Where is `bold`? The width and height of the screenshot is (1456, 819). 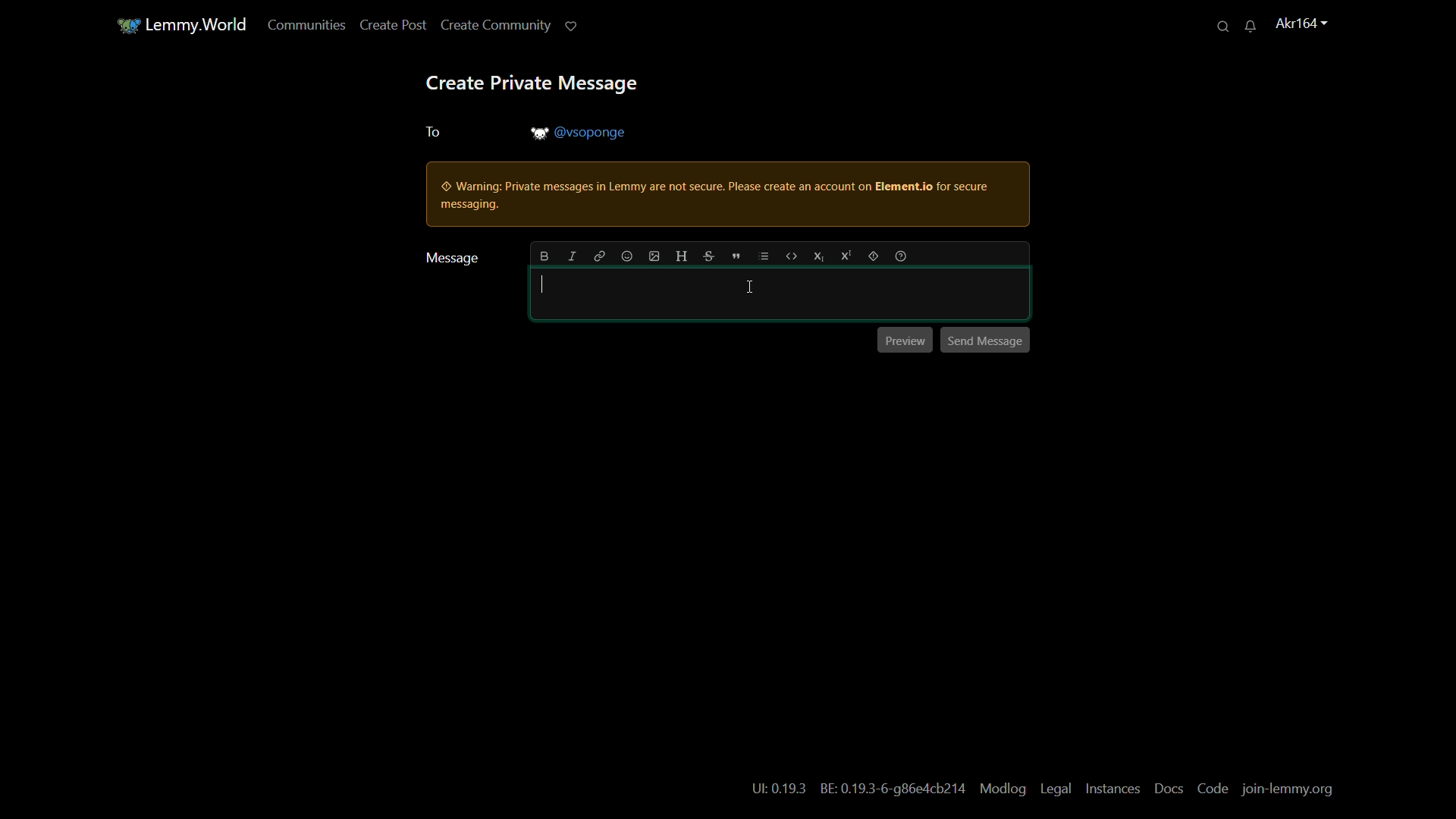 bold is located at coordinates (544, 257).